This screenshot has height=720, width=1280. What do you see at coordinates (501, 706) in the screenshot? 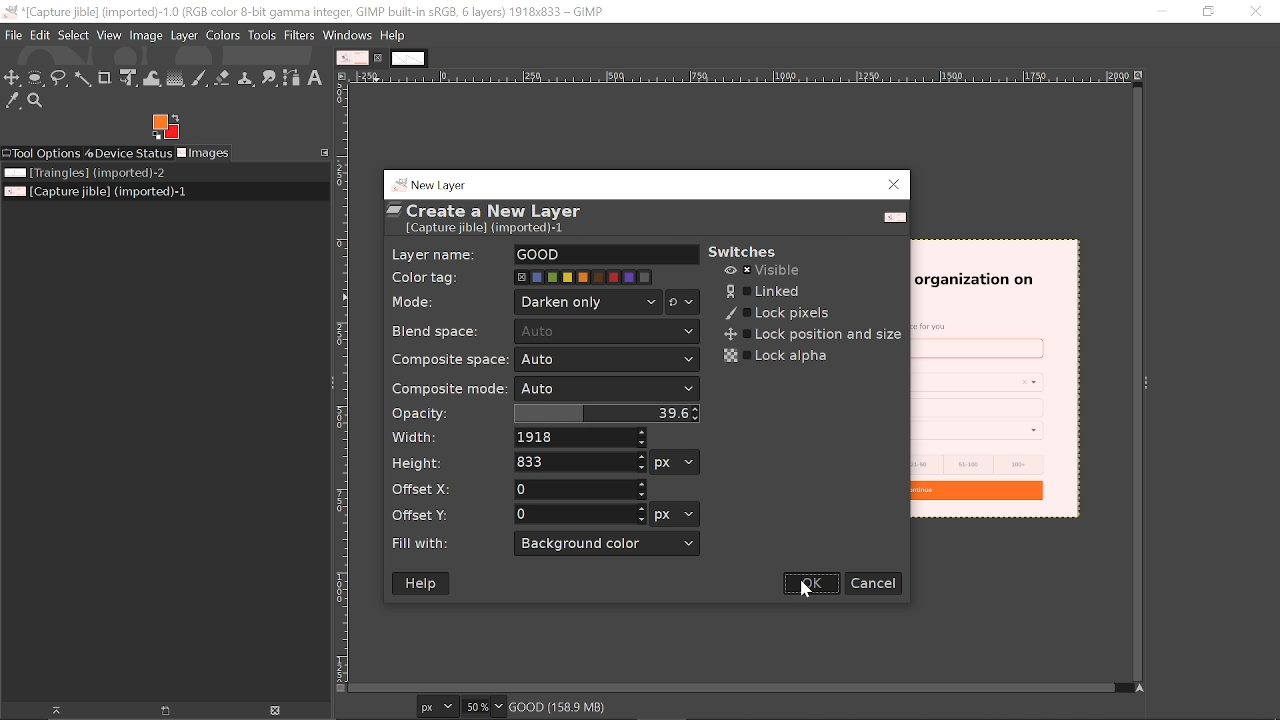
I see `Zoom options` at bounding box center [501, 706].